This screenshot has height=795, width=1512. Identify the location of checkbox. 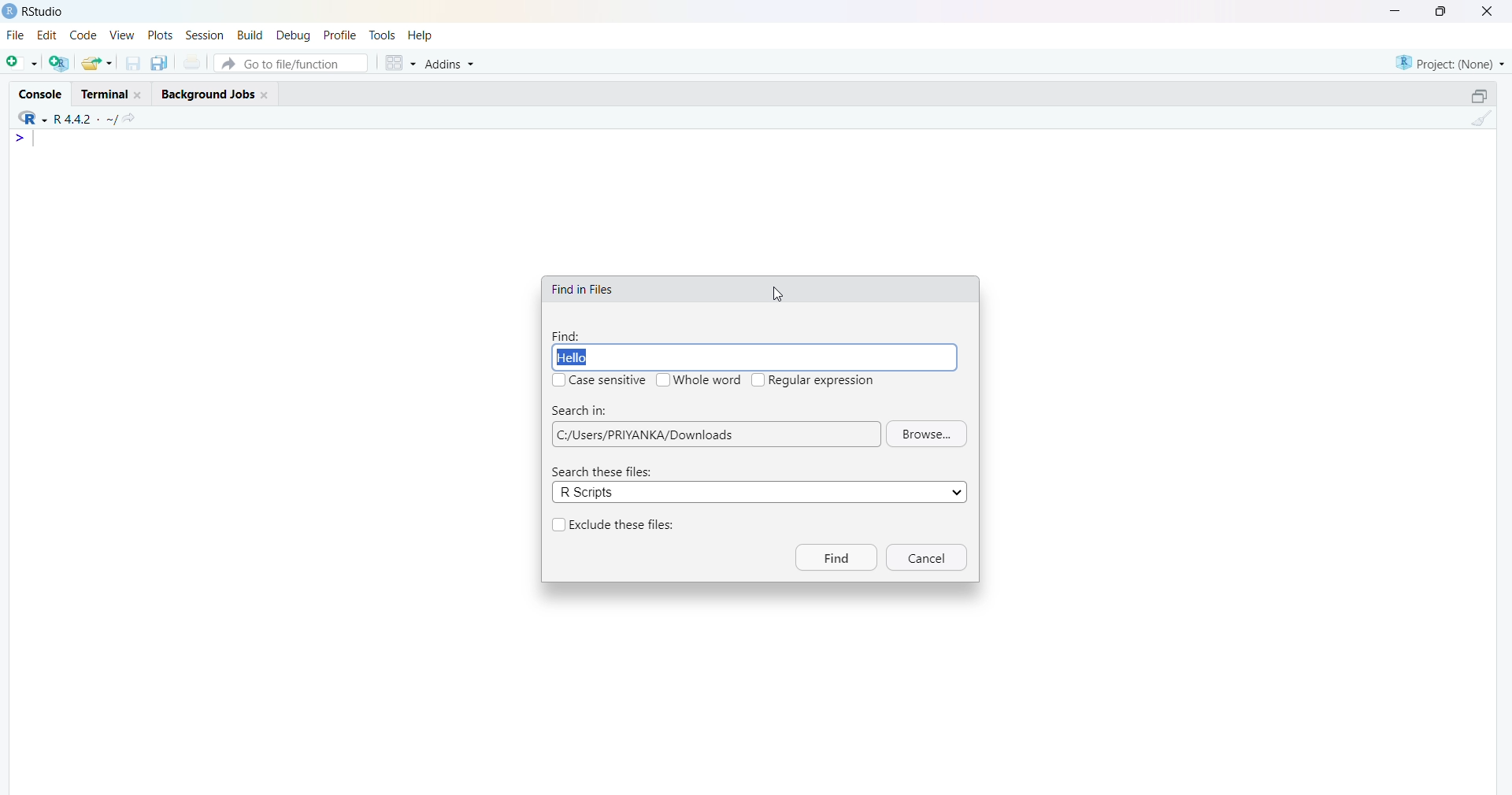
(559, 380).